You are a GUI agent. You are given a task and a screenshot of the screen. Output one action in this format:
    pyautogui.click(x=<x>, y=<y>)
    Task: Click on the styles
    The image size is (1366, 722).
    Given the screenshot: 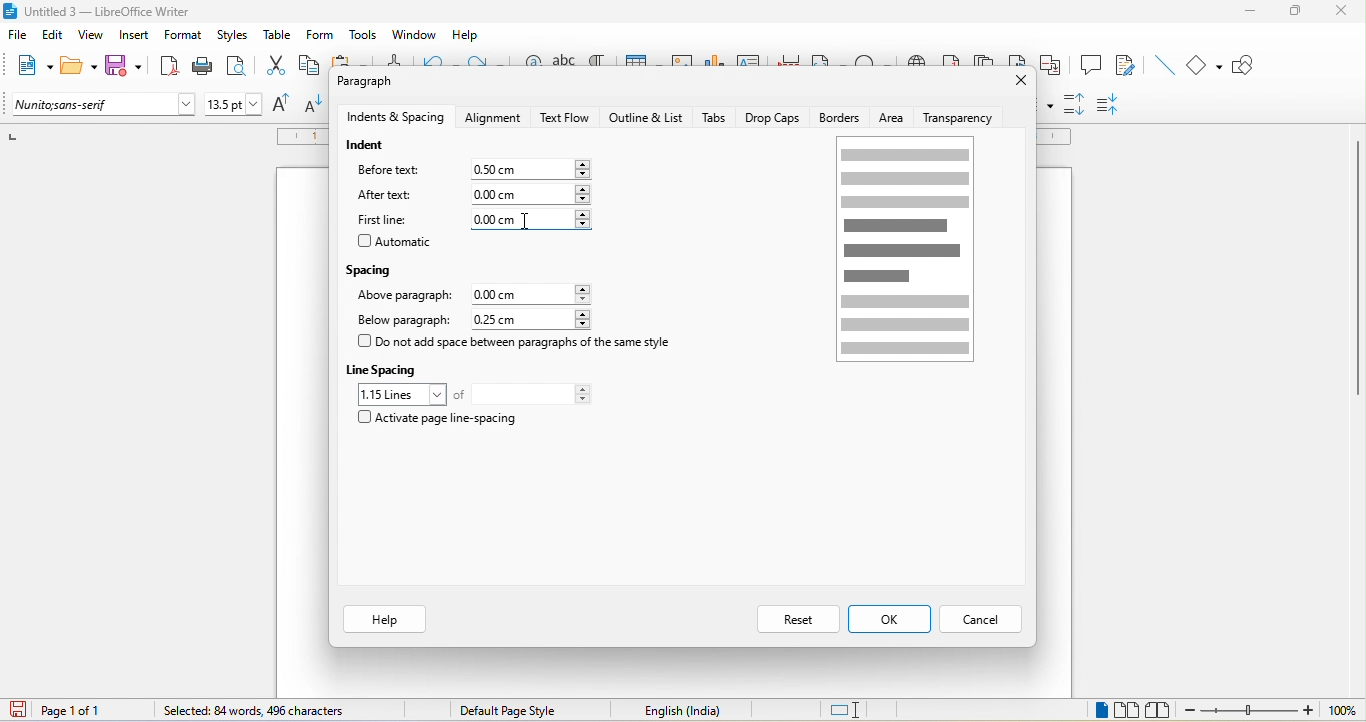 What is the action you would take?
    pyautogui.click(x=234, y=36)
    